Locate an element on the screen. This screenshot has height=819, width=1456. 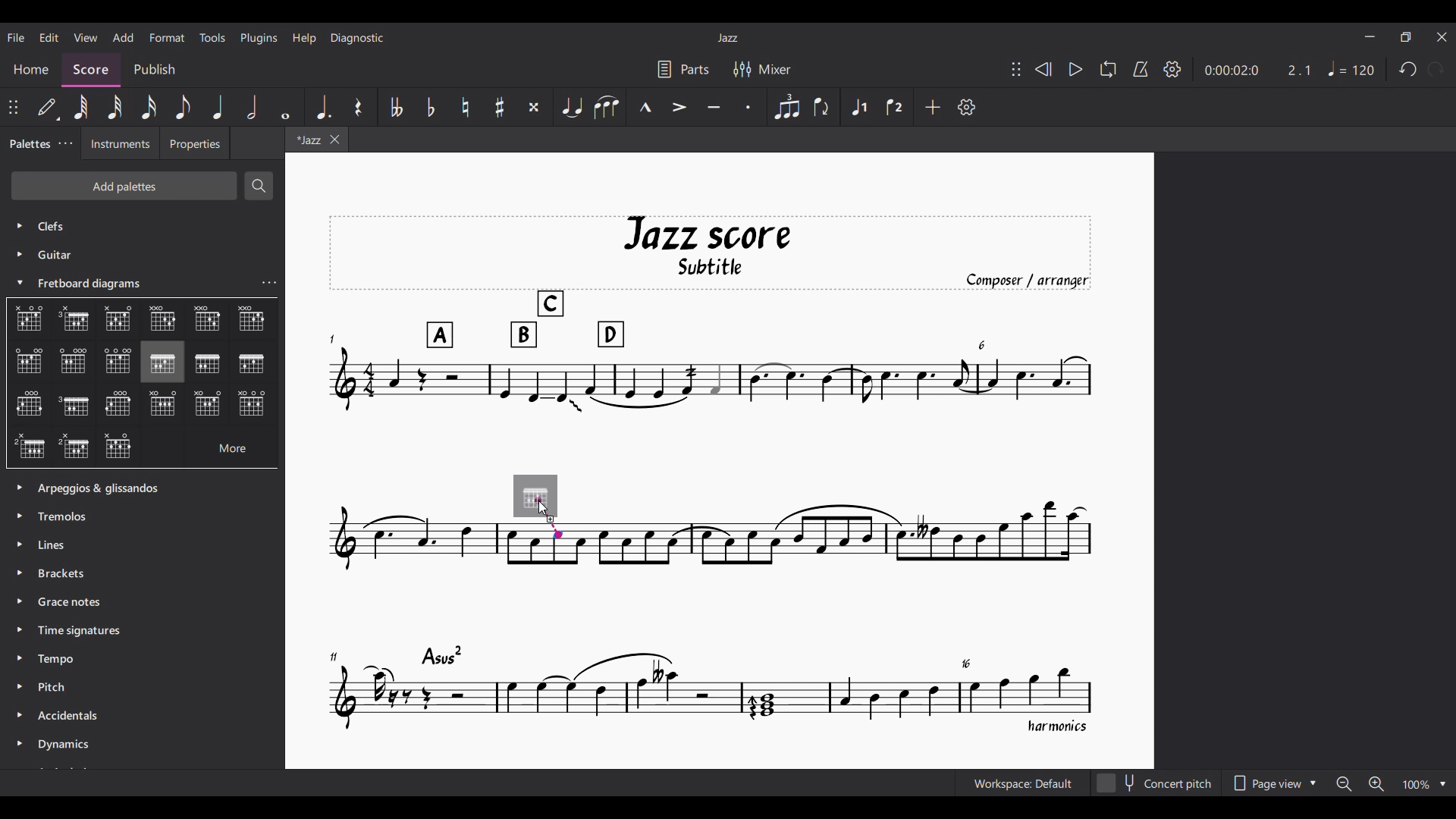
Current selection highlighted is located at coordinates (162, 362).